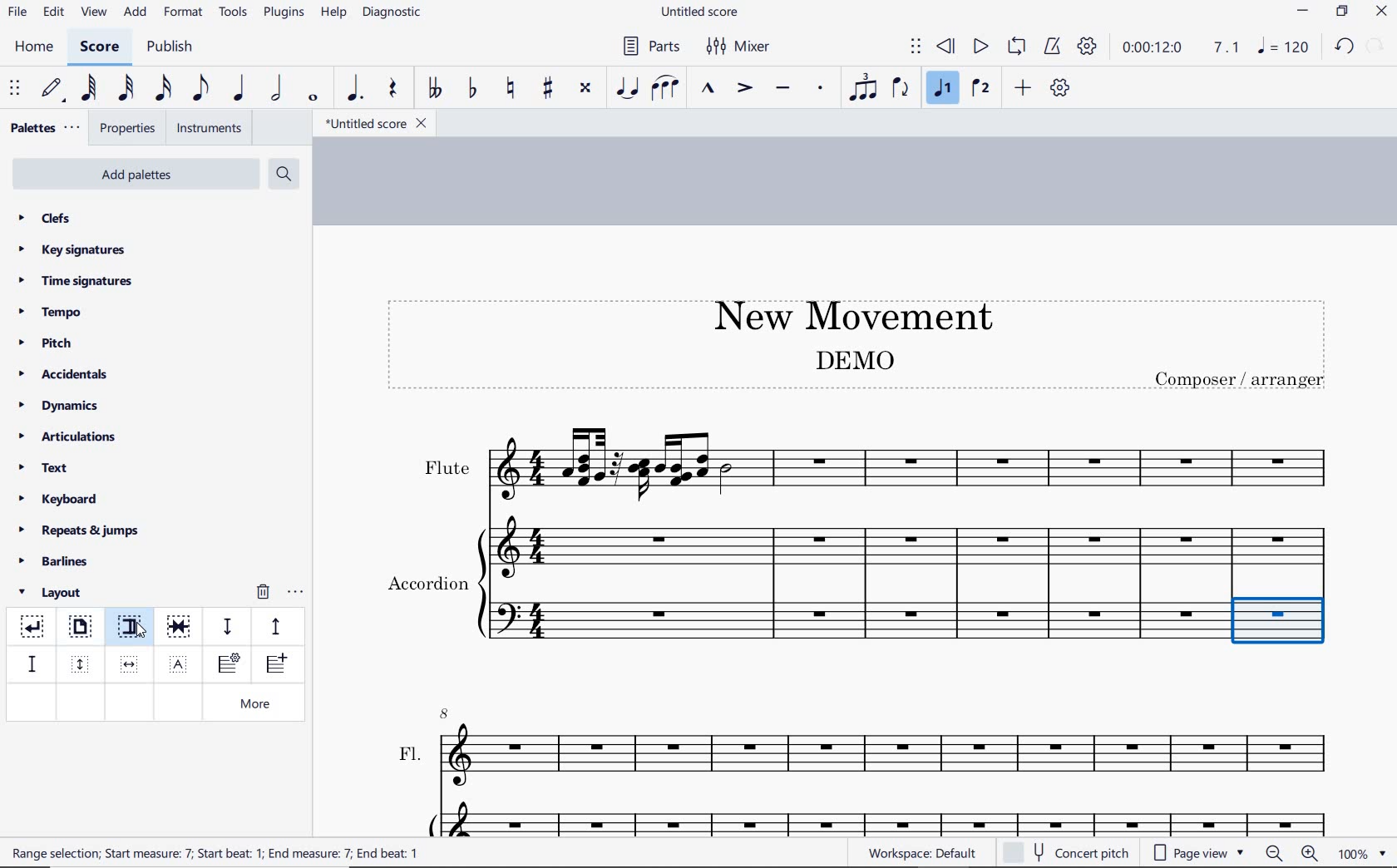  Describe the element at coordinates (17, 89) in the screenshot. I see `select to move` at that location.